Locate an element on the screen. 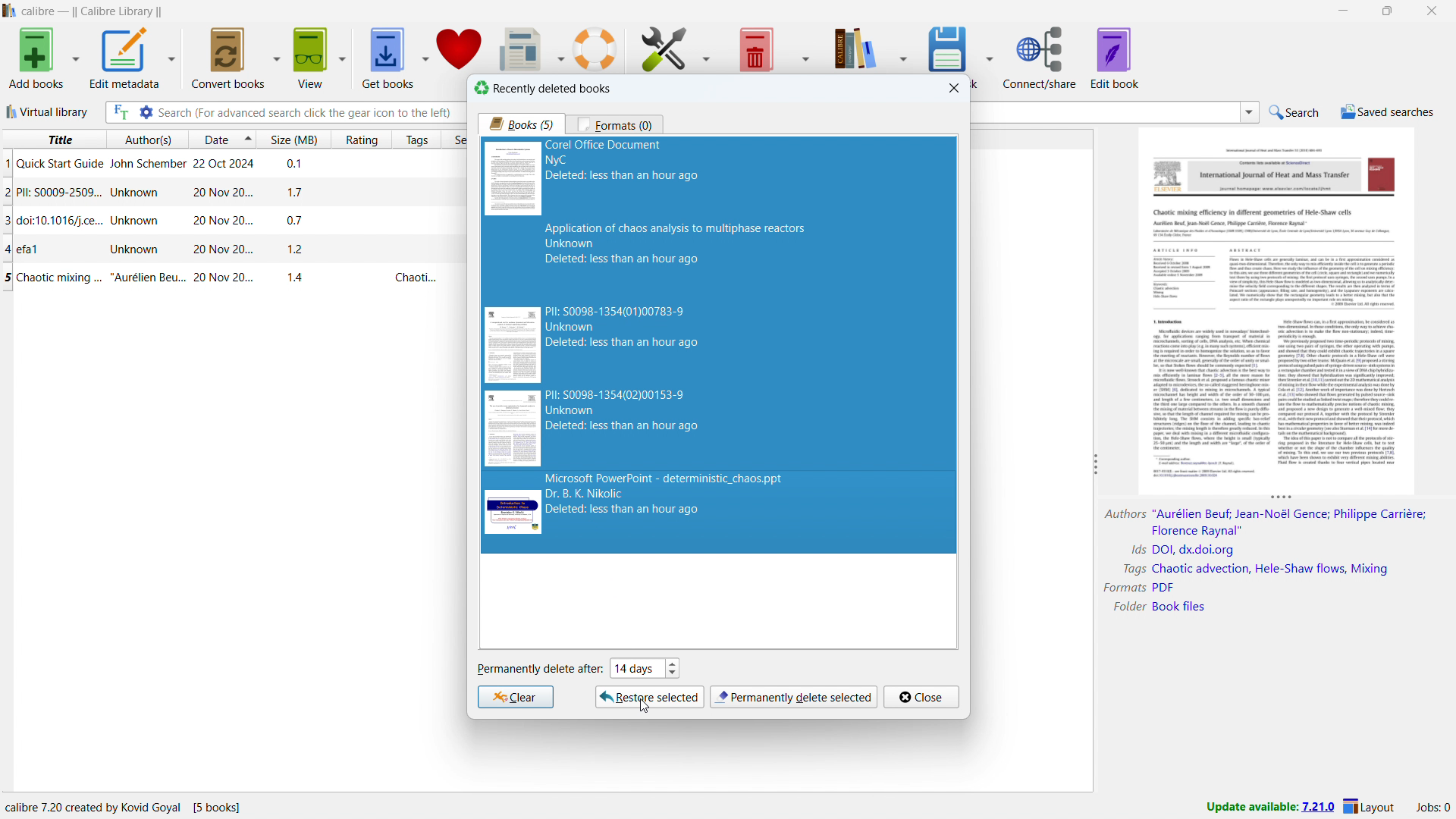 This screenshot has width=1456, height=819. help is located at coordinates (595, 49).